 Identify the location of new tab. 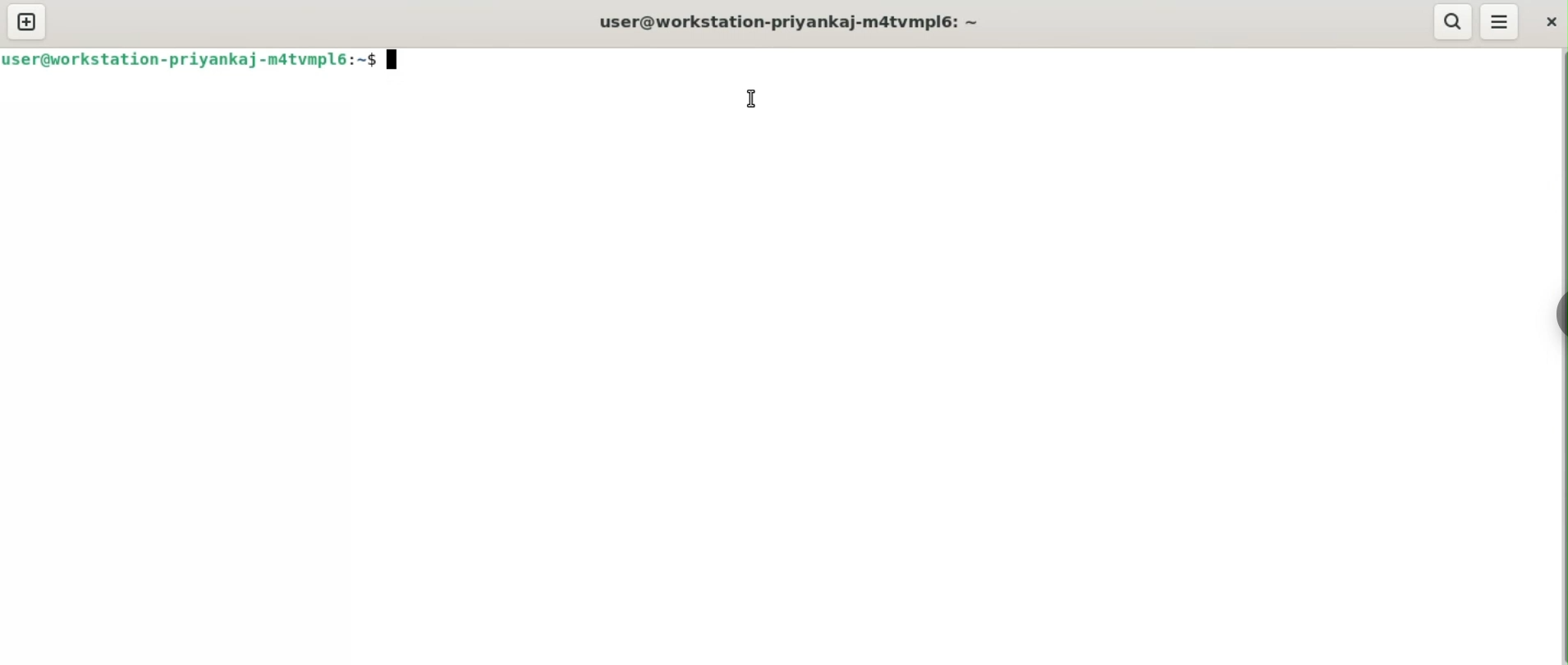
(34, 21).